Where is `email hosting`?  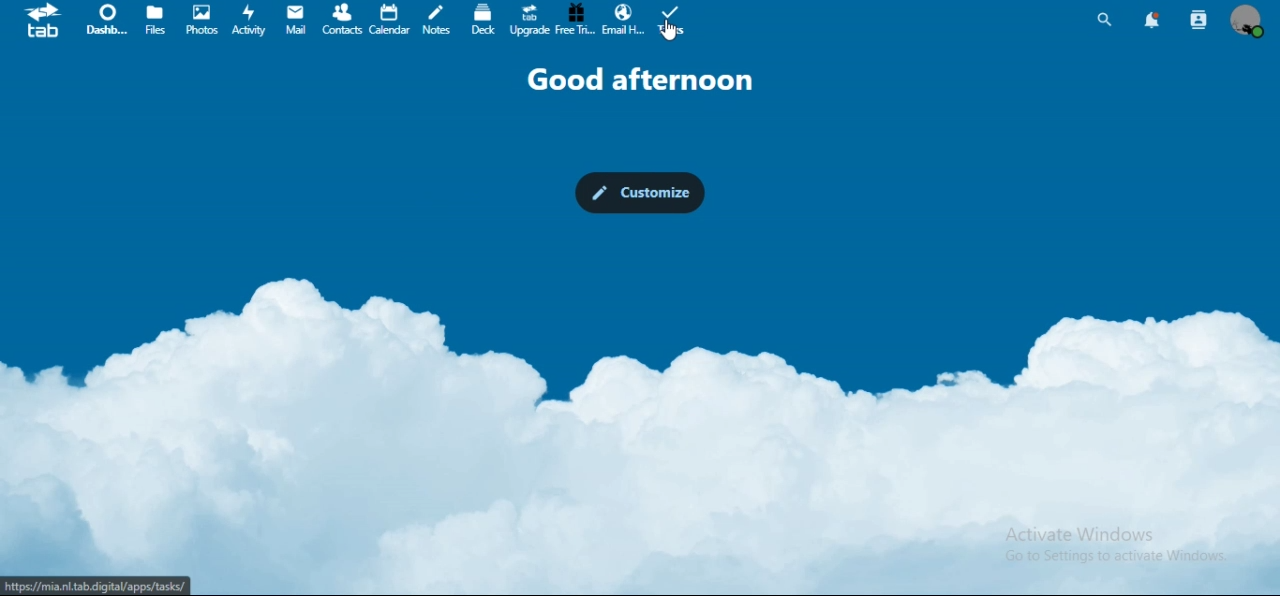 email hosting is located at coordinates (624, 23).